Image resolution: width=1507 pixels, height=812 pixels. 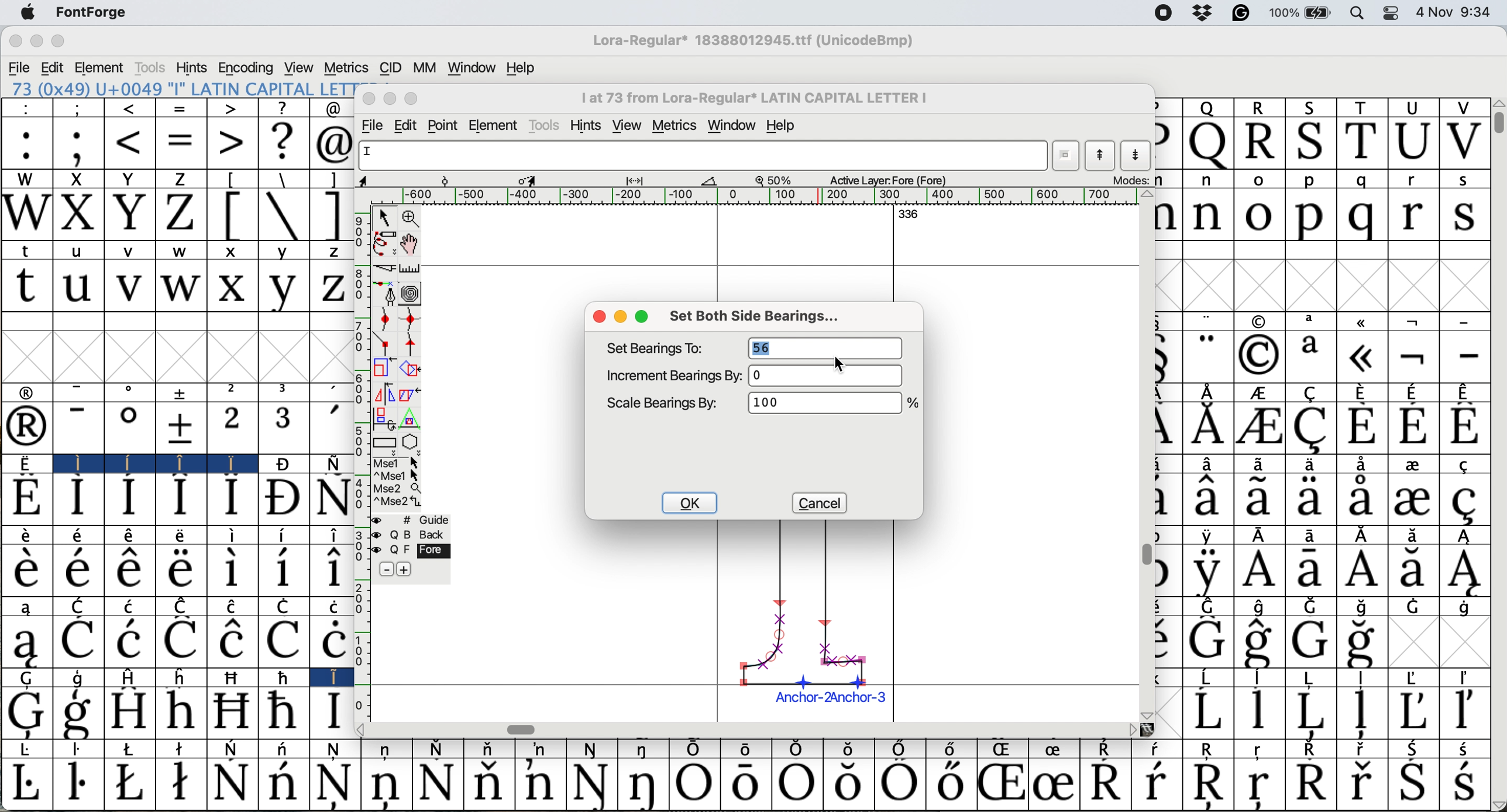 What do you see at coordinates (300, 67) in the screenshot?
I see `view` at bounding box center [300, 67].